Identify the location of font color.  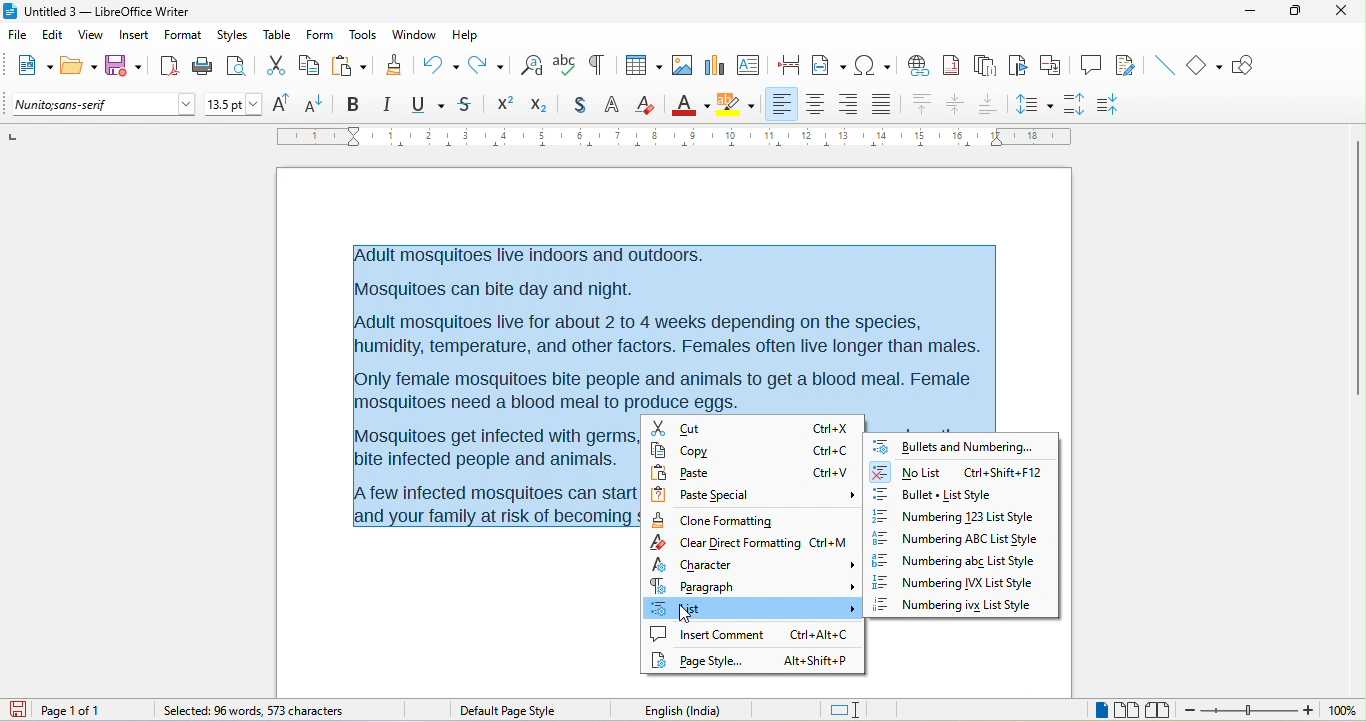
(690, 103).